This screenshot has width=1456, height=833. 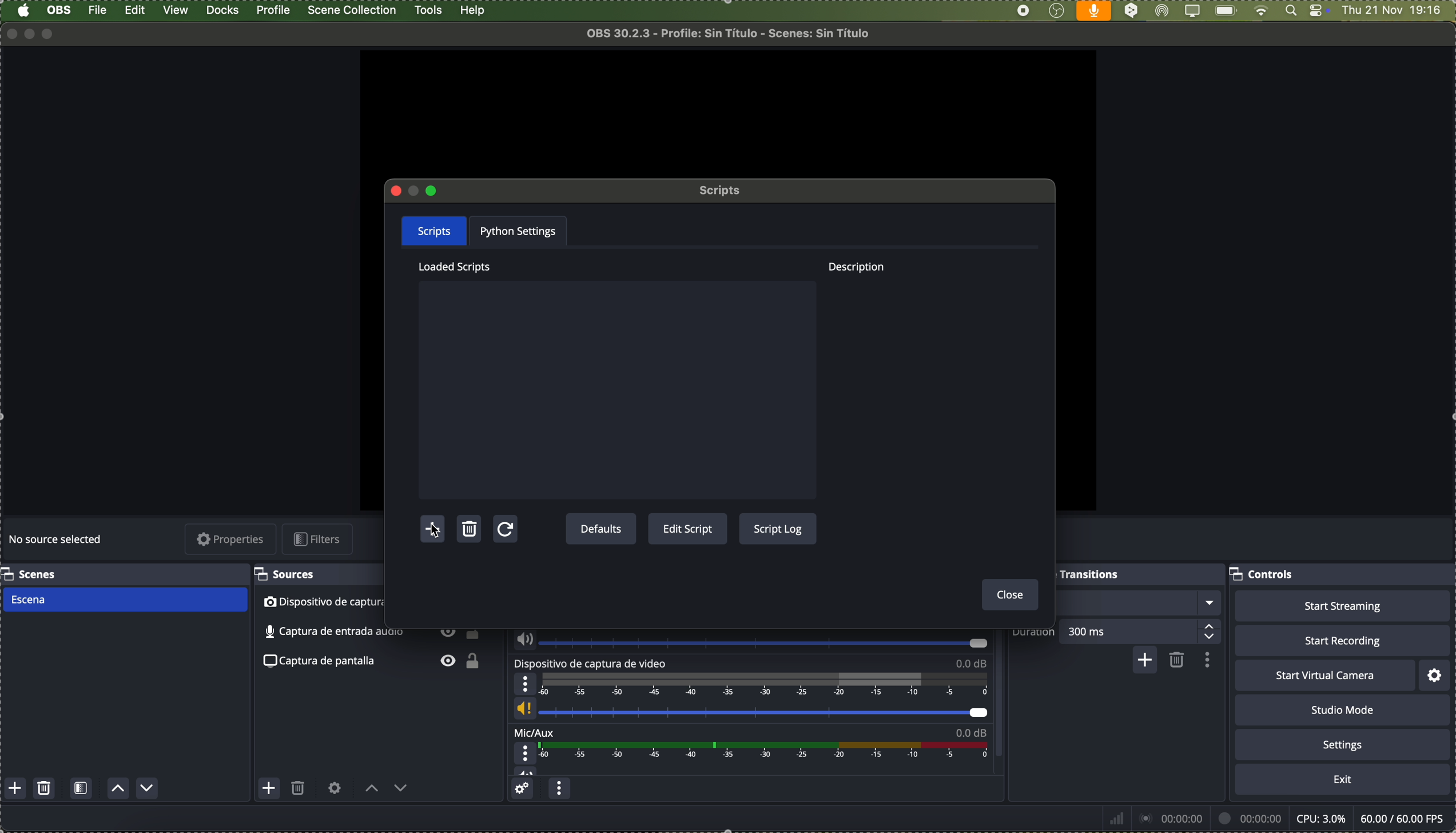 I want to click on help, so click(x=473, y=11).